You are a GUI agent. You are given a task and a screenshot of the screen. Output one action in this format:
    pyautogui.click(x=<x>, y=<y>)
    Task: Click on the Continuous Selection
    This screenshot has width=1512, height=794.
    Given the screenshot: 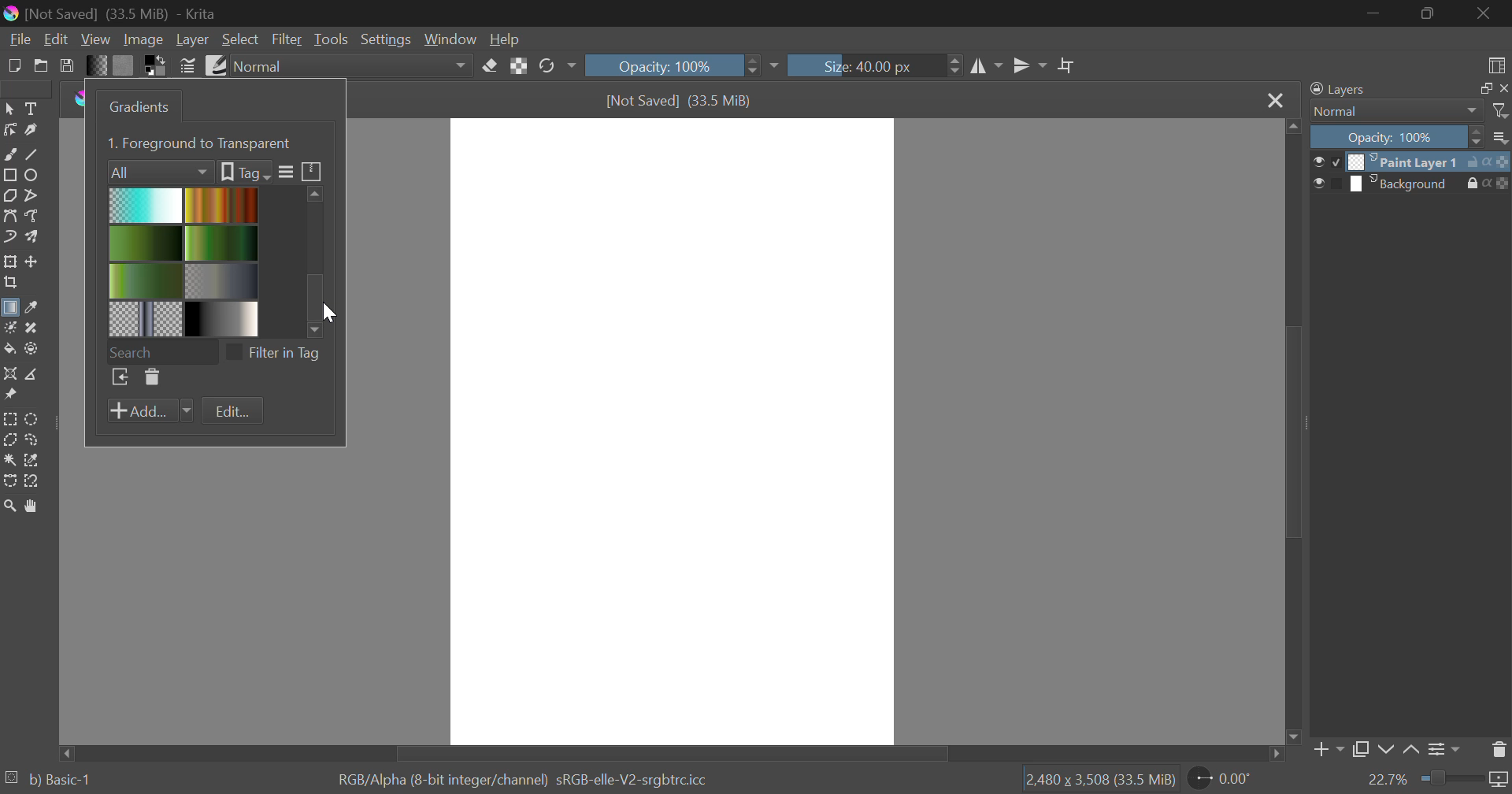 What is the action you would take?
    pyautogui.click(x=9, y=459)
    